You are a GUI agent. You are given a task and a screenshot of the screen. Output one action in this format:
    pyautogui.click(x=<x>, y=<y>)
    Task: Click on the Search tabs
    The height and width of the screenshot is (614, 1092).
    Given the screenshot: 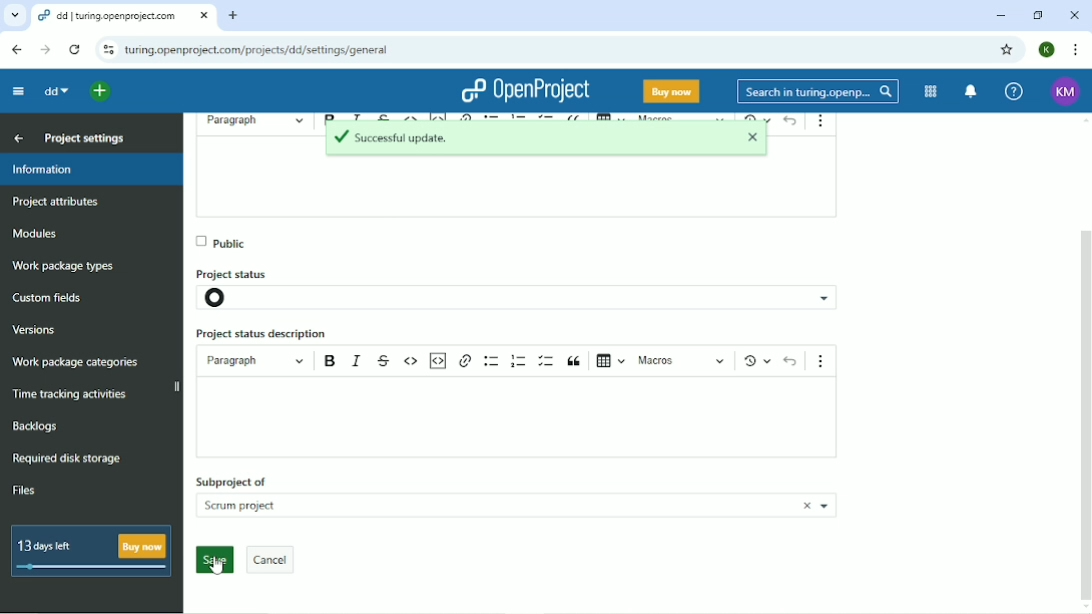 What is the action you would take?
    pyautogui.click(x=13, y=15)
    